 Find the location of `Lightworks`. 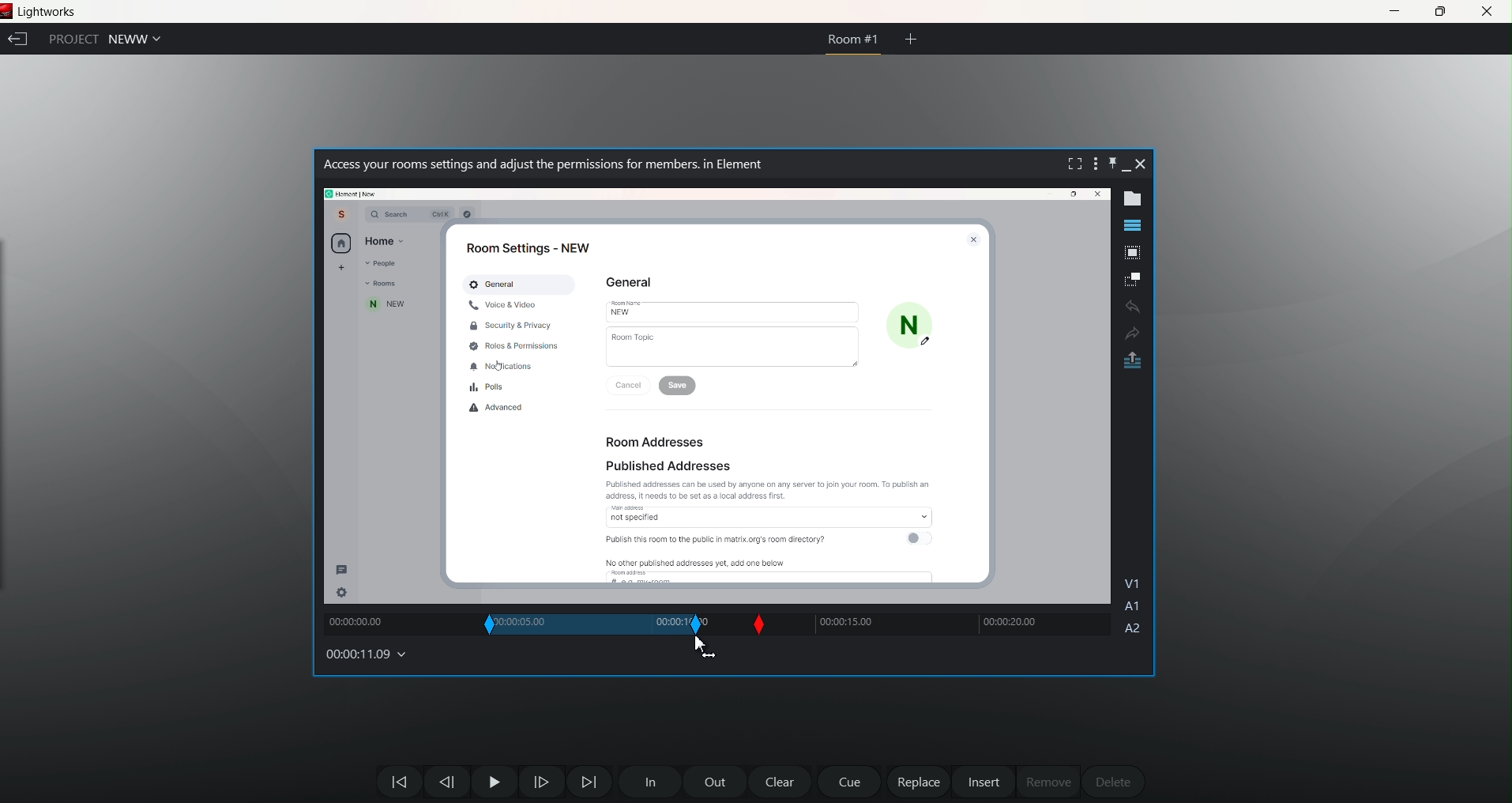

Lightworks is located at coordinates (55, 10).